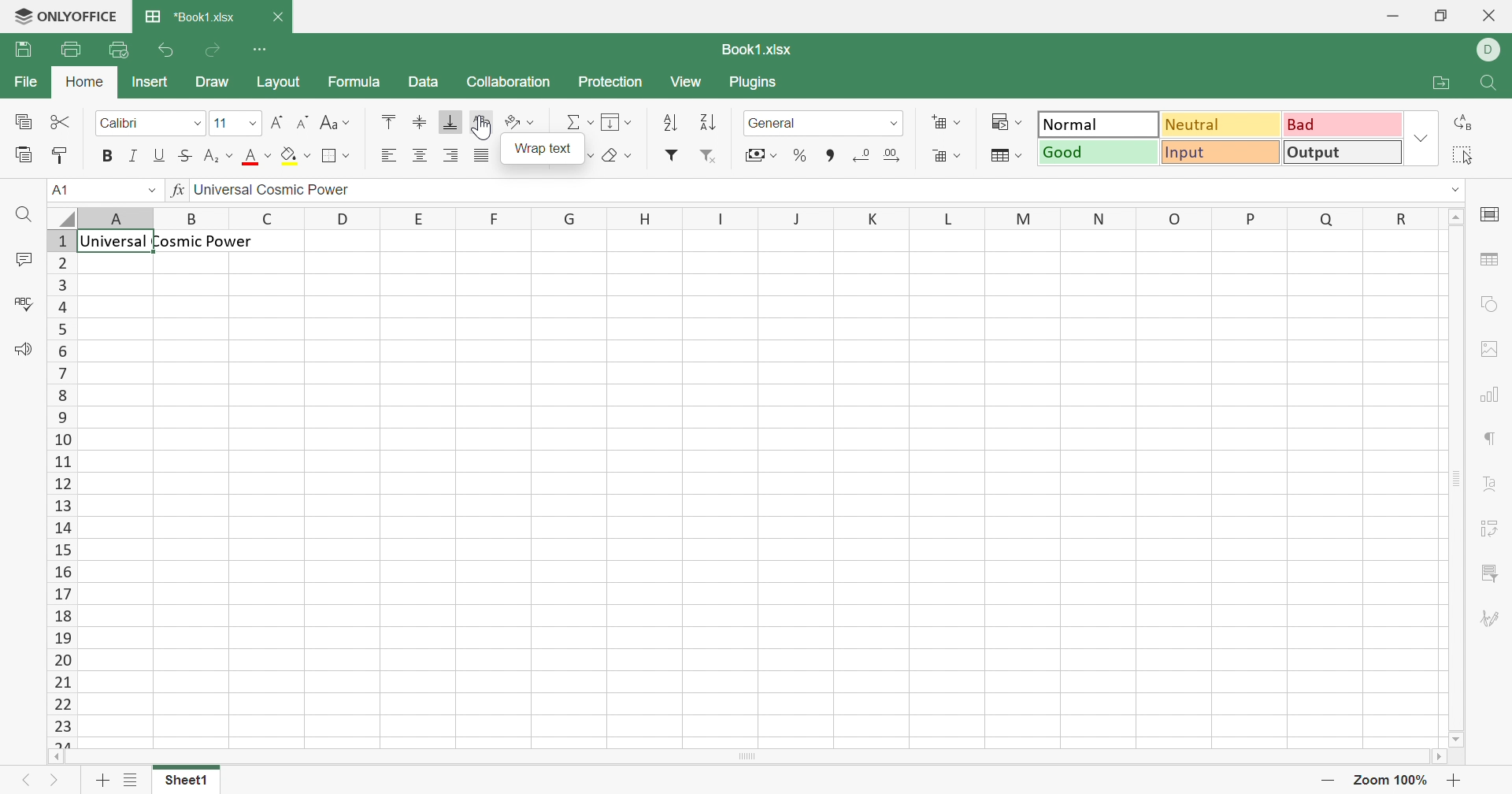 This screenshot has height=794, width=1512. I want to click on Italic, so click(132, 157).